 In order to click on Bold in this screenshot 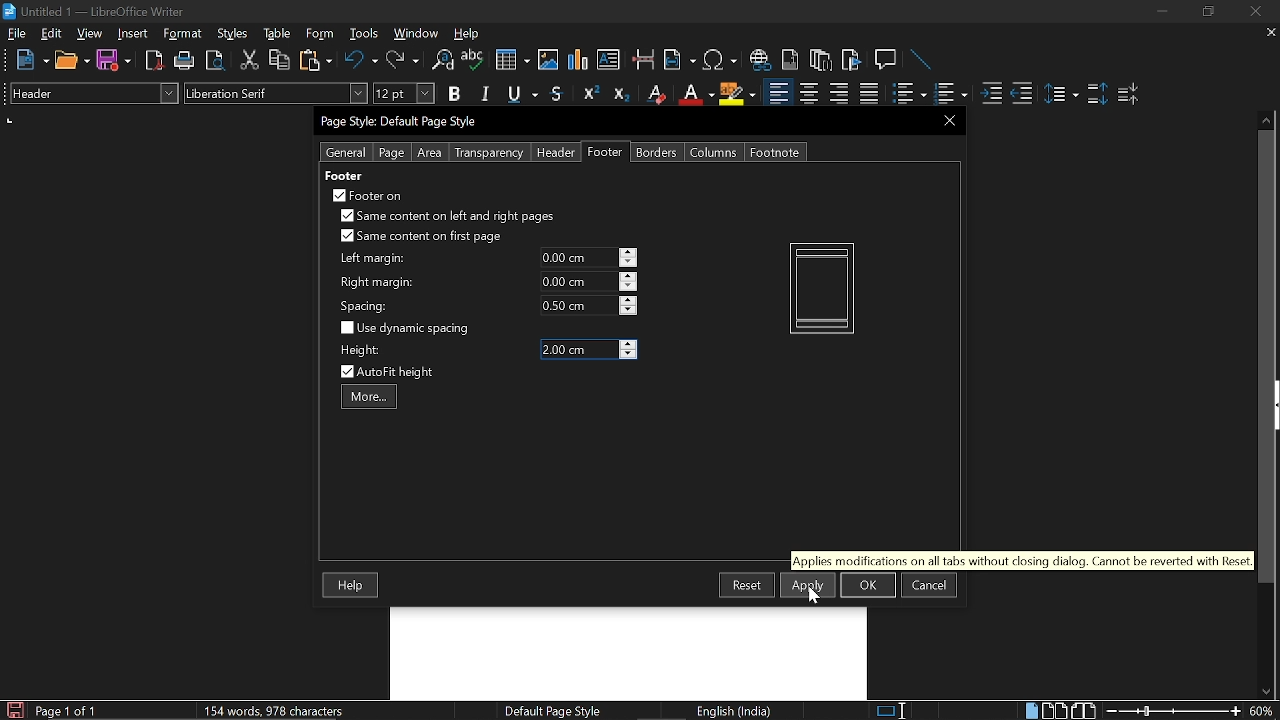, I will do `click(454, 96)`.